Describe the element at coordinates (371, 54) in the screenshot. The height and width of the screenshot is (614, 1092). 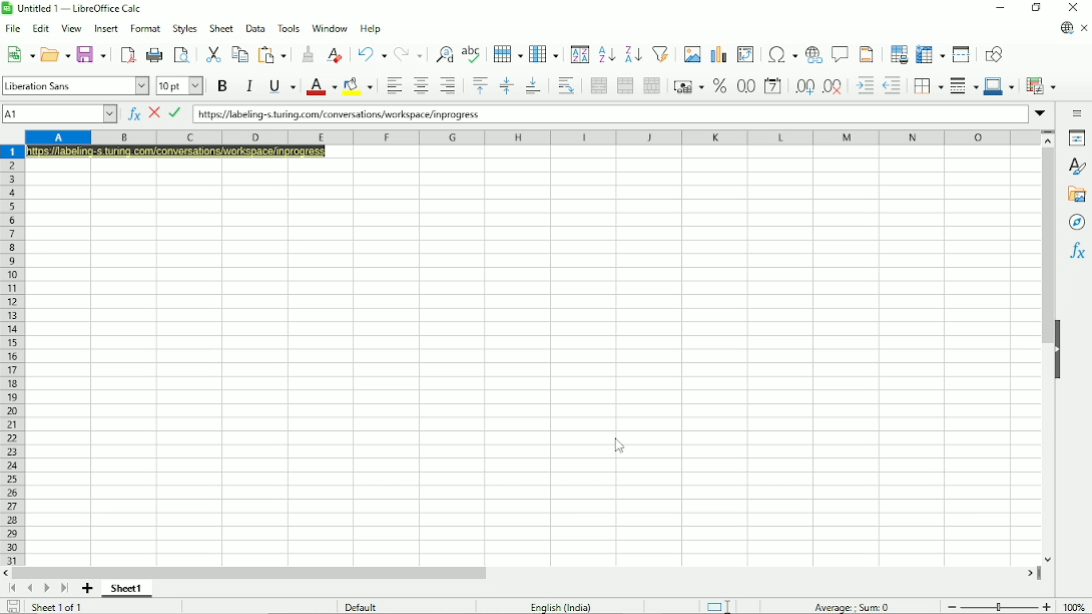
I see `Undo` at that location.